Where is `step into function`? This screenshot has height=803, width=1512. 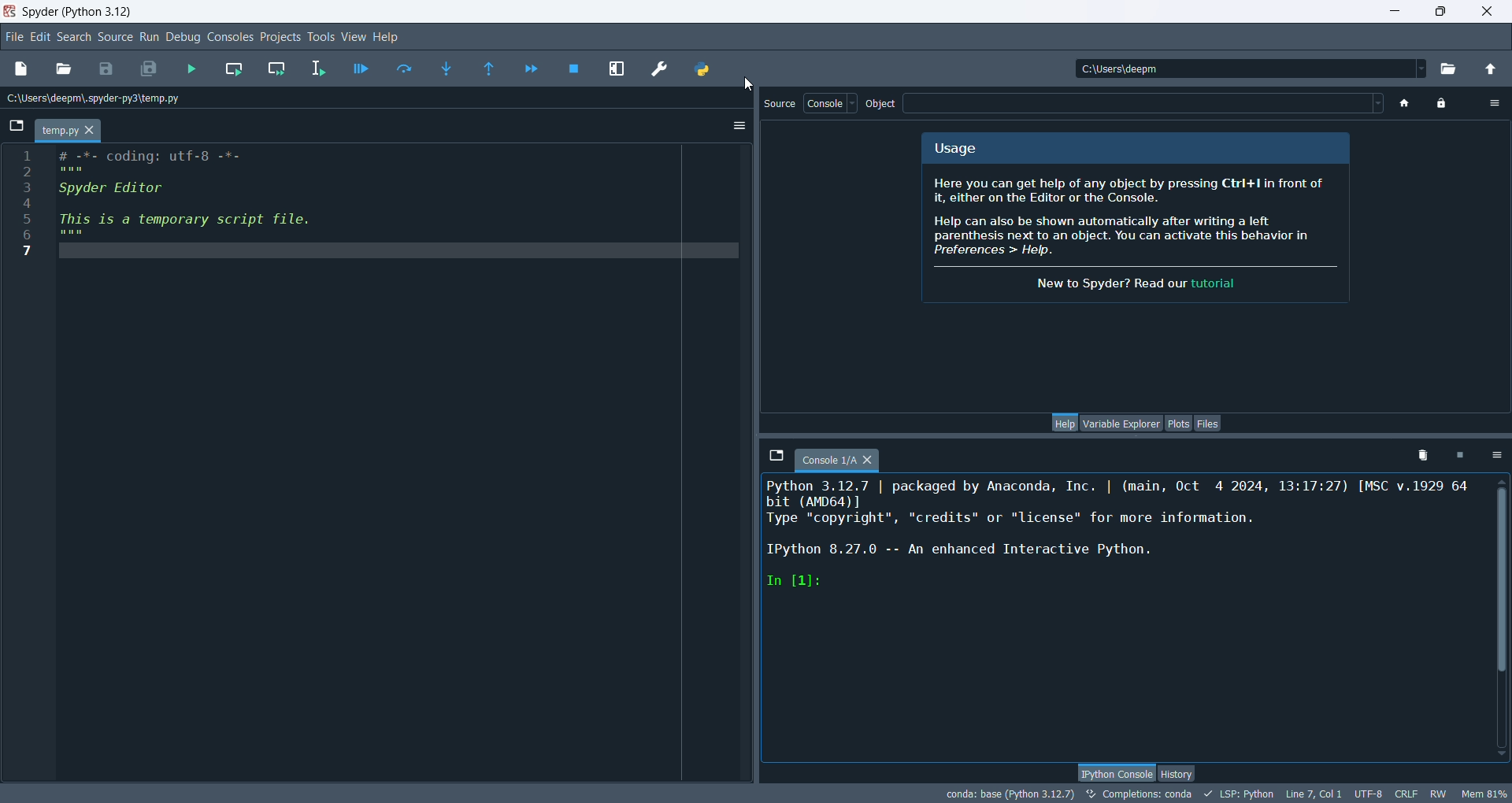 step into function is located at coordinates (446, 68).